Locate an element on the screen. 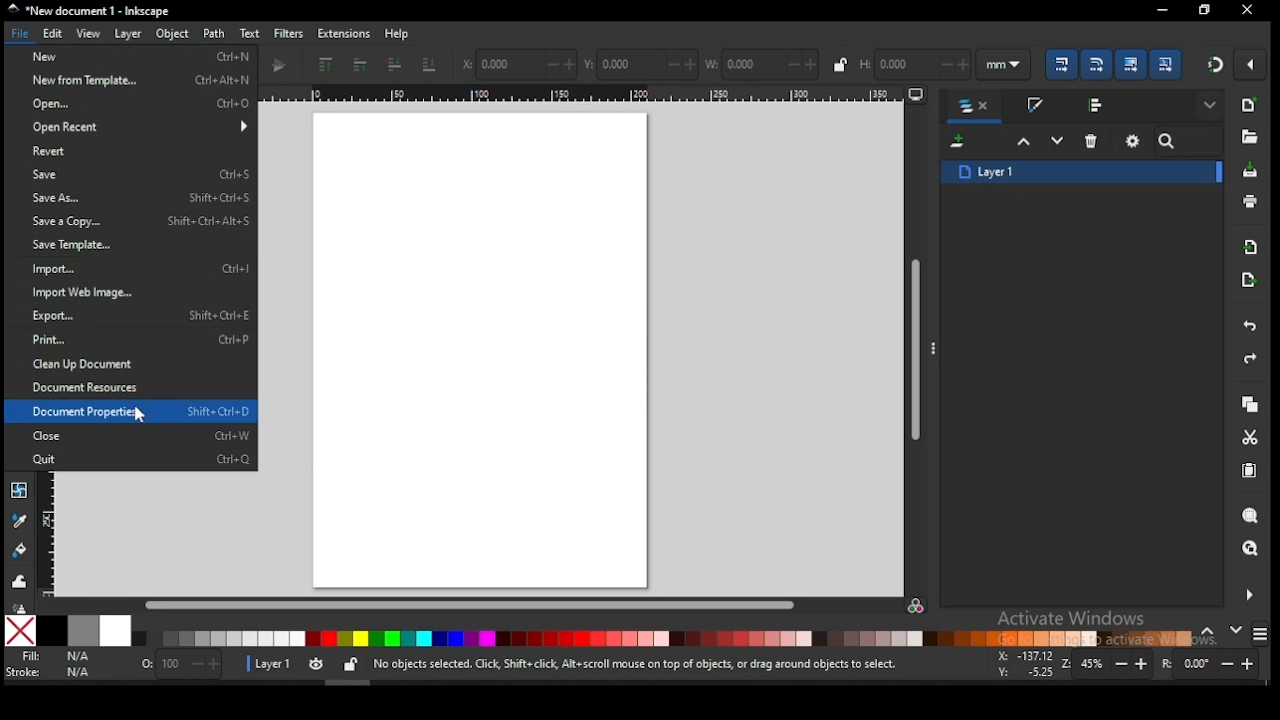  layer settings is located at coordinates (304, 665).